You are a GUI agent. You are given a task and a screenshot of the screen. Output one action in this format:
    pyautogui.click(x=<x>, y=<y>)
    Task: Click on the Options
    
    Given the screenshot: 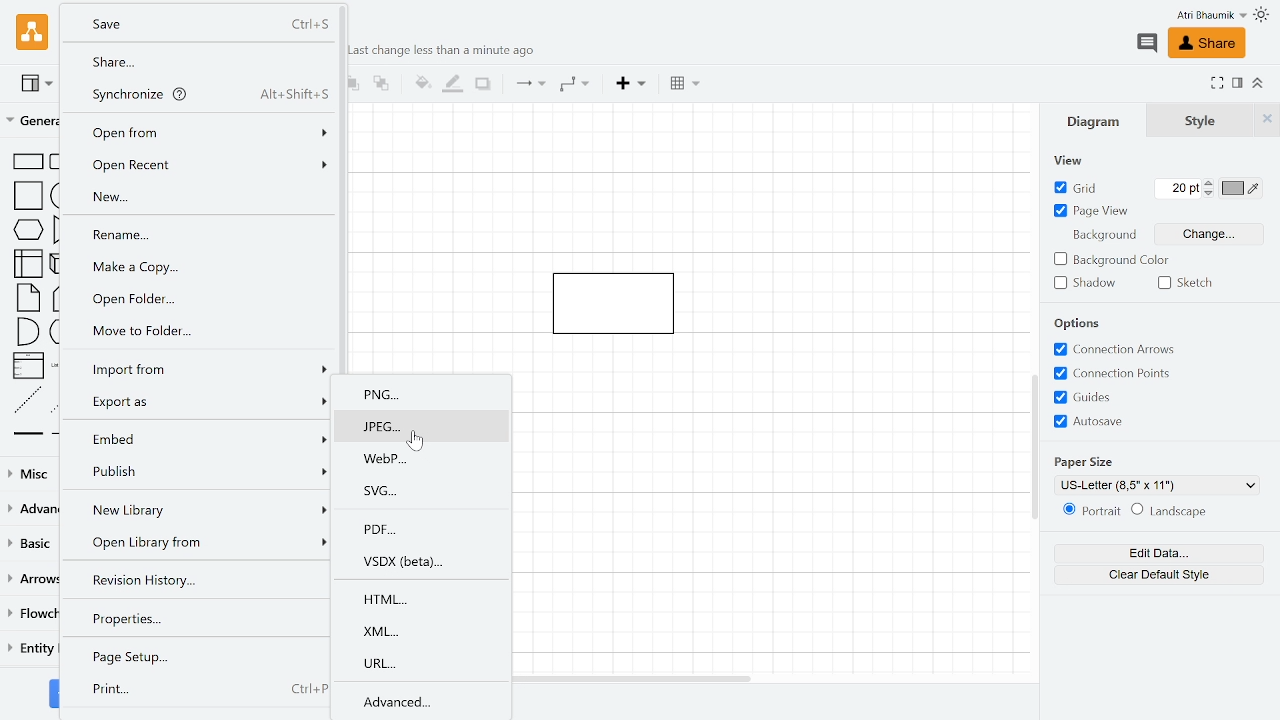 What is the action you would take?
    pyautogui.click(x=1078, y=325)
    